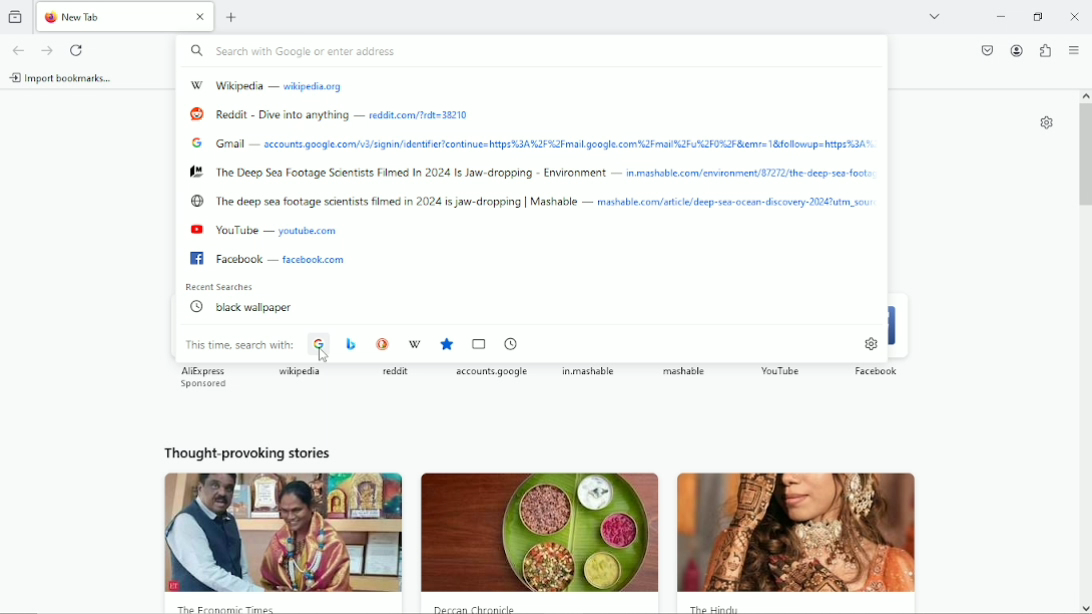 The image size is (1092, 614). I want to click on wikipedia, so click(299, 371).